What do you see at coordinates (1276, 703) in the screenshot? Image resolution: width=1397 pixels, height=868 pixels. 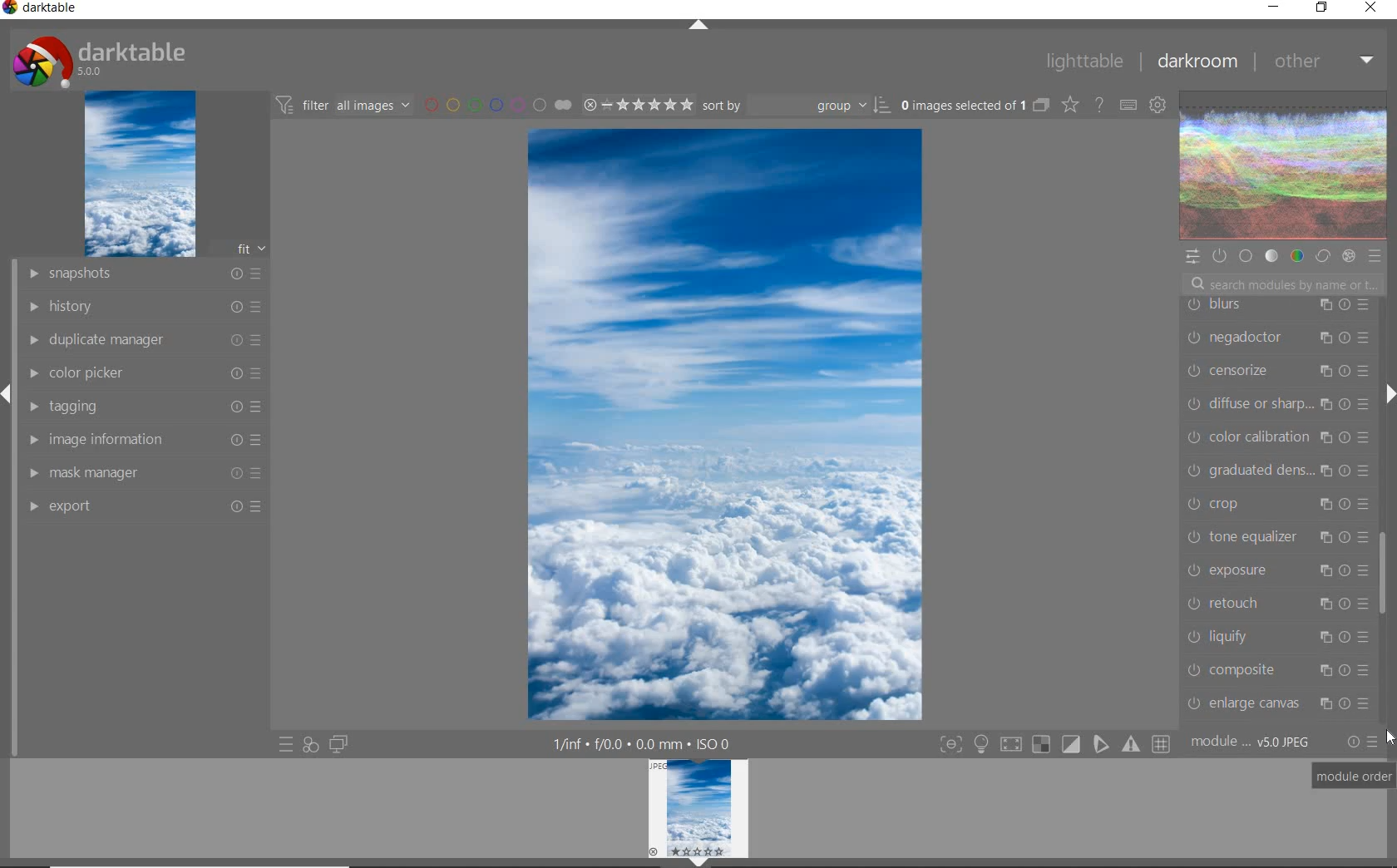 I see `enlarge canvas` at bounding box center [1276, 703].